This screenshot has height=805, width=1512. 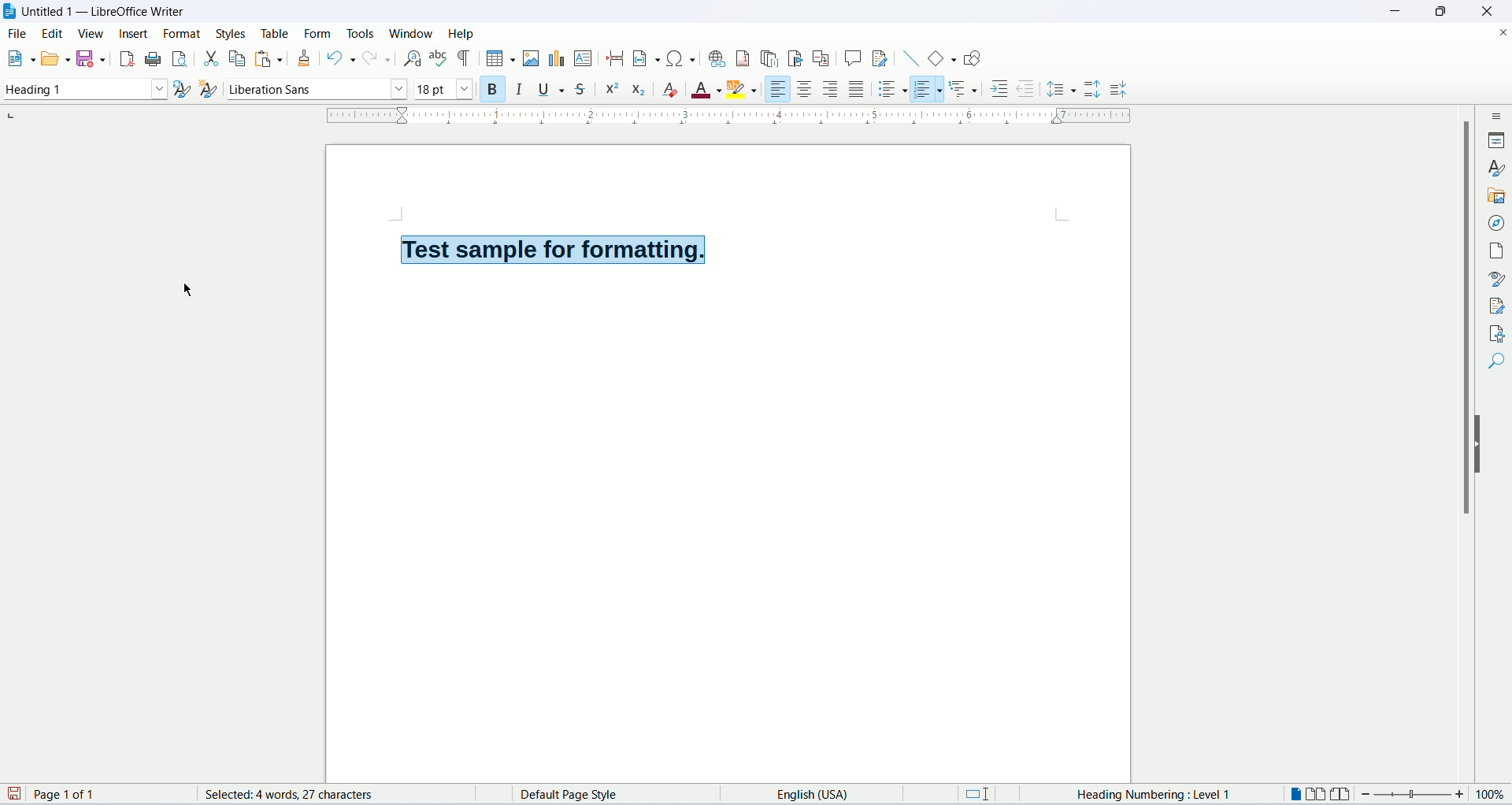 What do you see at coordinates (806, 89) in the screenshot?
I see `align center` at bounding box center [806, 89].